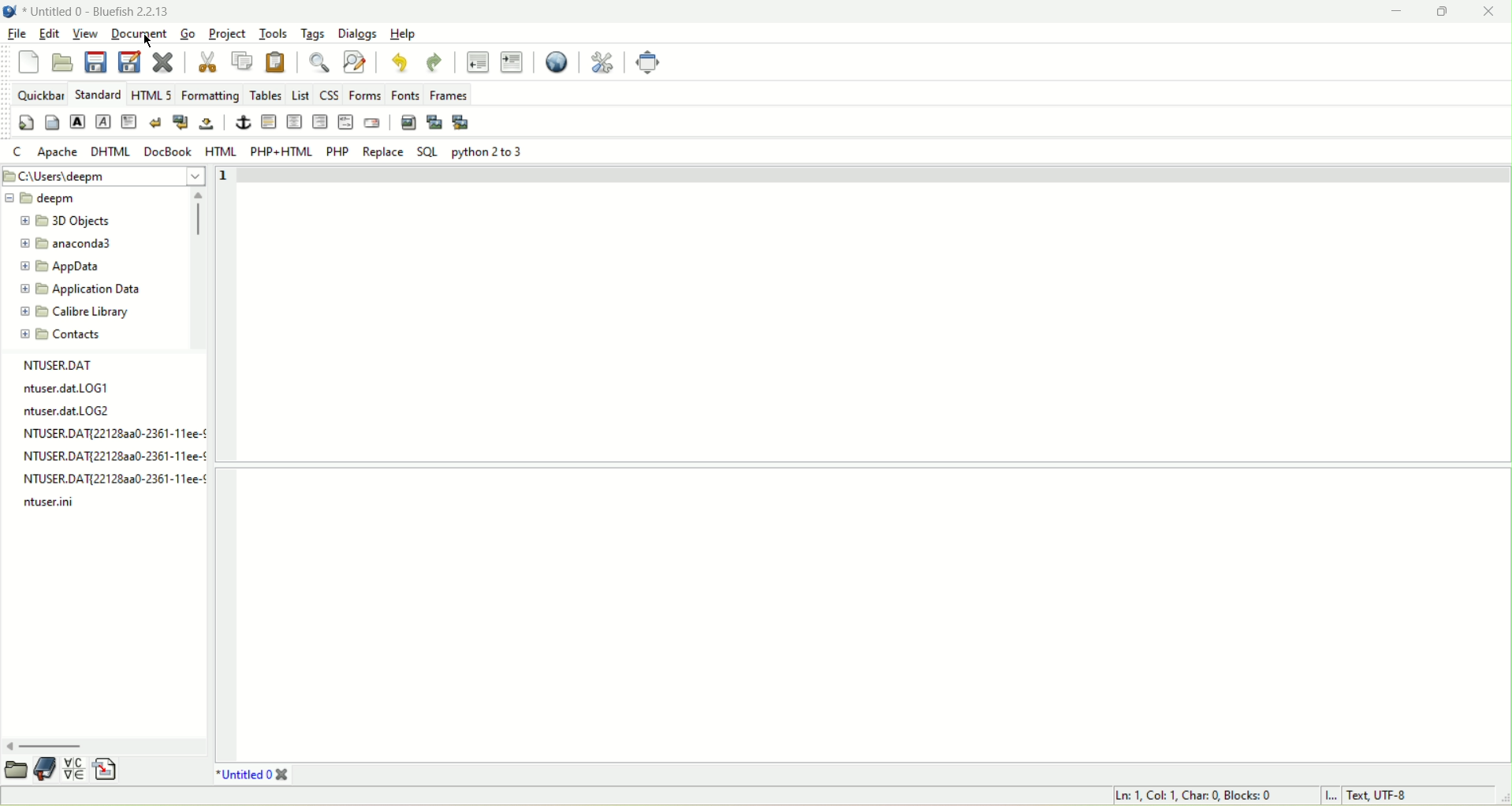  Describe the element at coordinates (408, 123) in the screenshot. I see `insert image` at that location.